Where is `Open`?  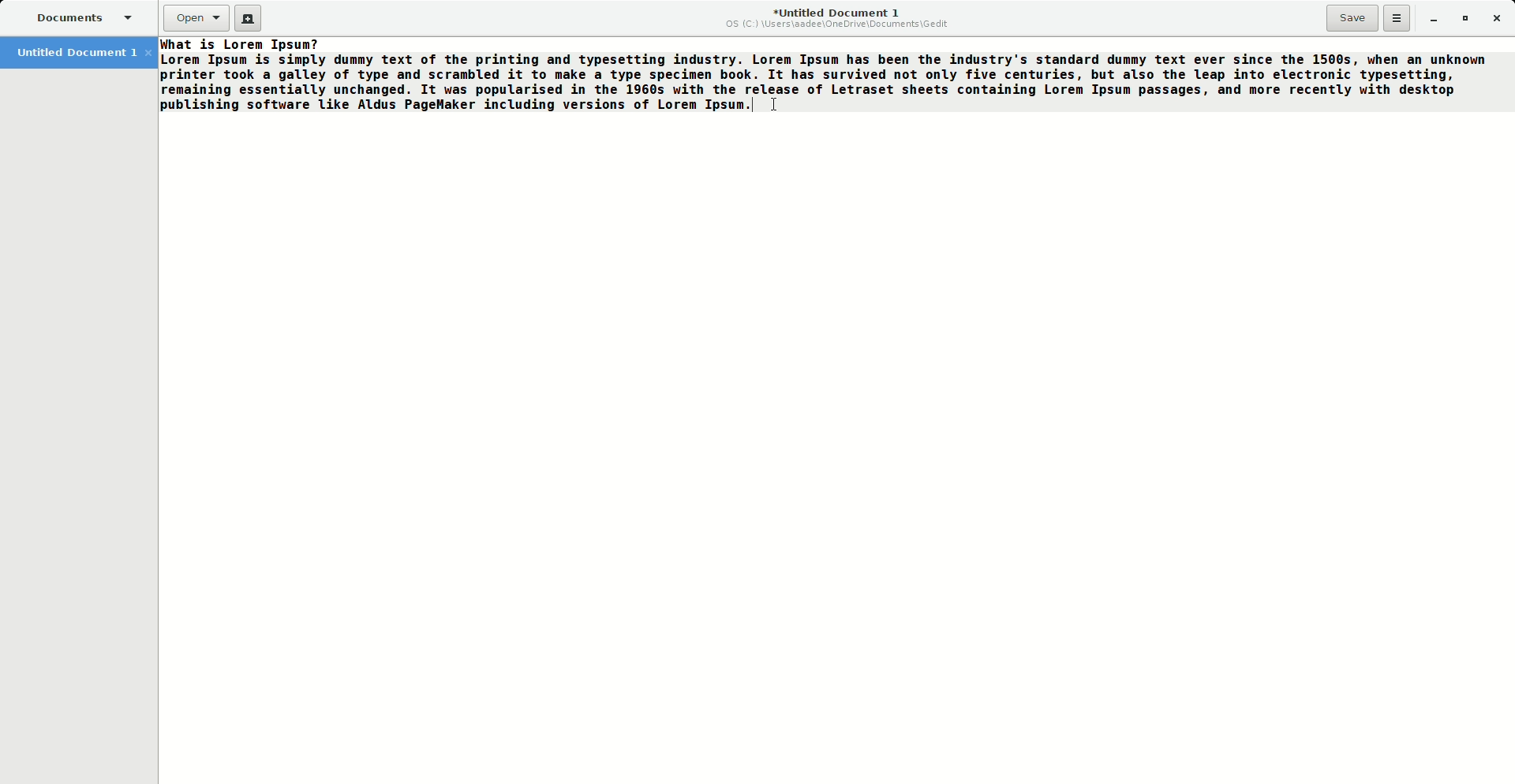
Open is located at coordinates (196, 18).